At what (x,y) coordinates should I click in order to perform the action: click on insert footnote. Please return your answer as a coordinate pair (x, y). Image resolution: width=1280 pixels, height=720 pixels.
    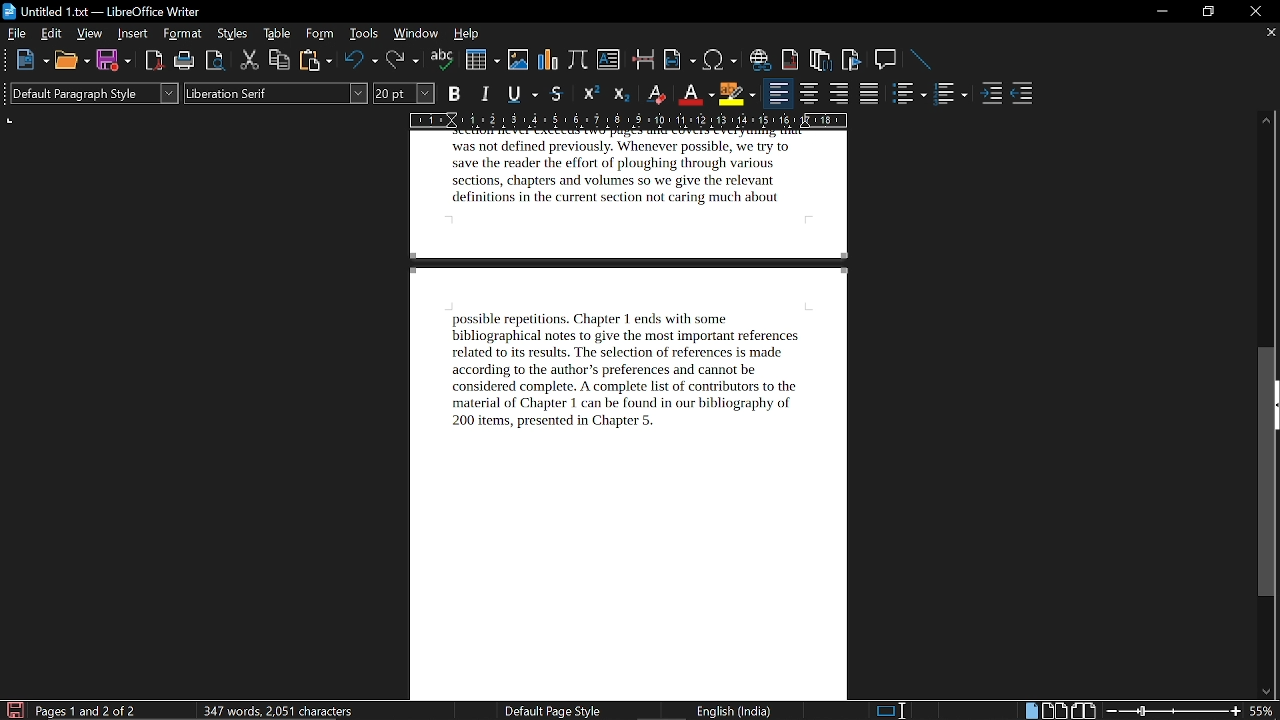
    Looking at the image, I should click on (791, 59).